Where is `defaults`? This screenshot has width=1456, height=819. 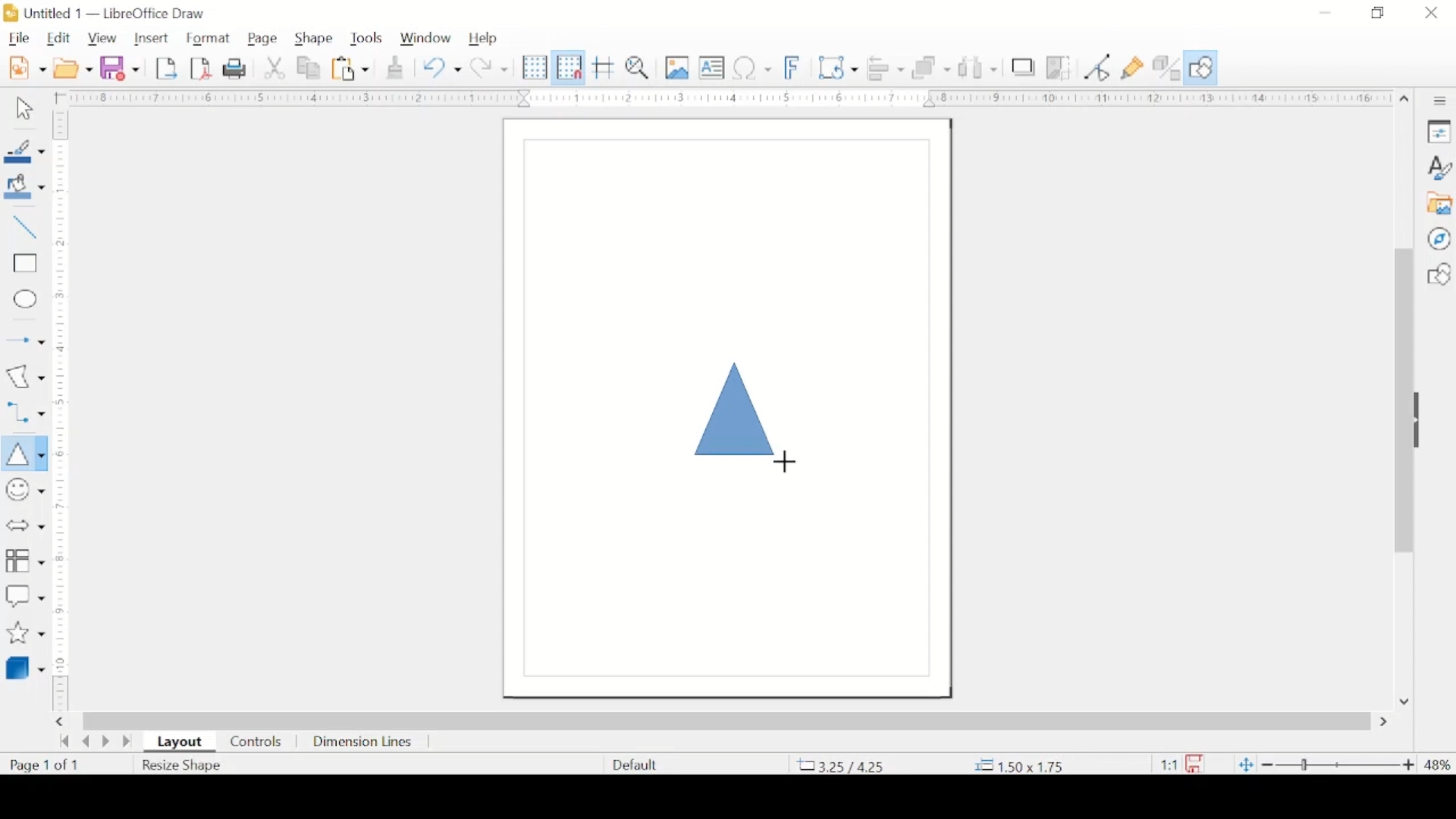 defaults is located at coordinates (633, 763).